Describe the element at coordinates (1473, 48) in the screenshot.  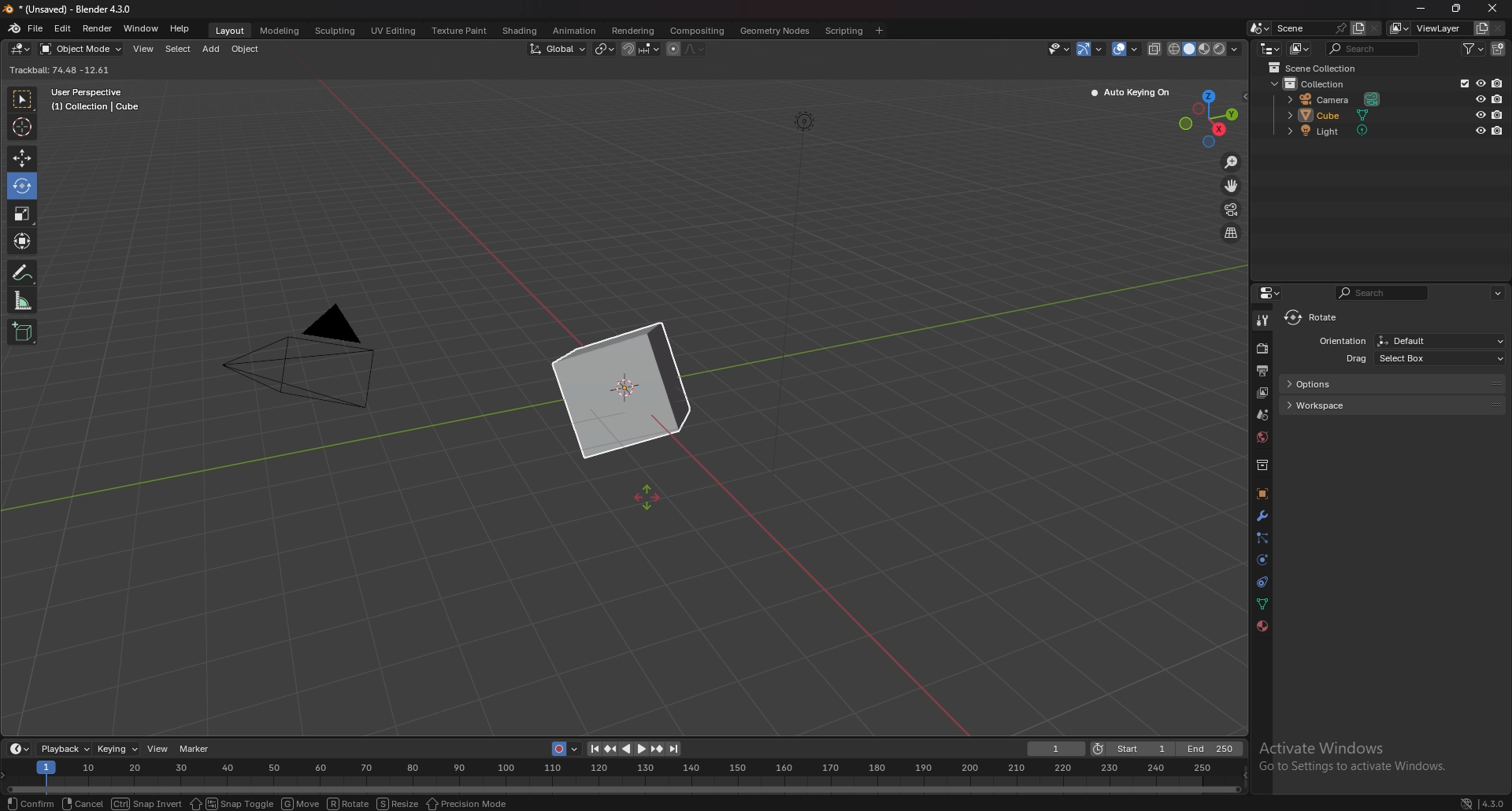
I see `filter` at that location.